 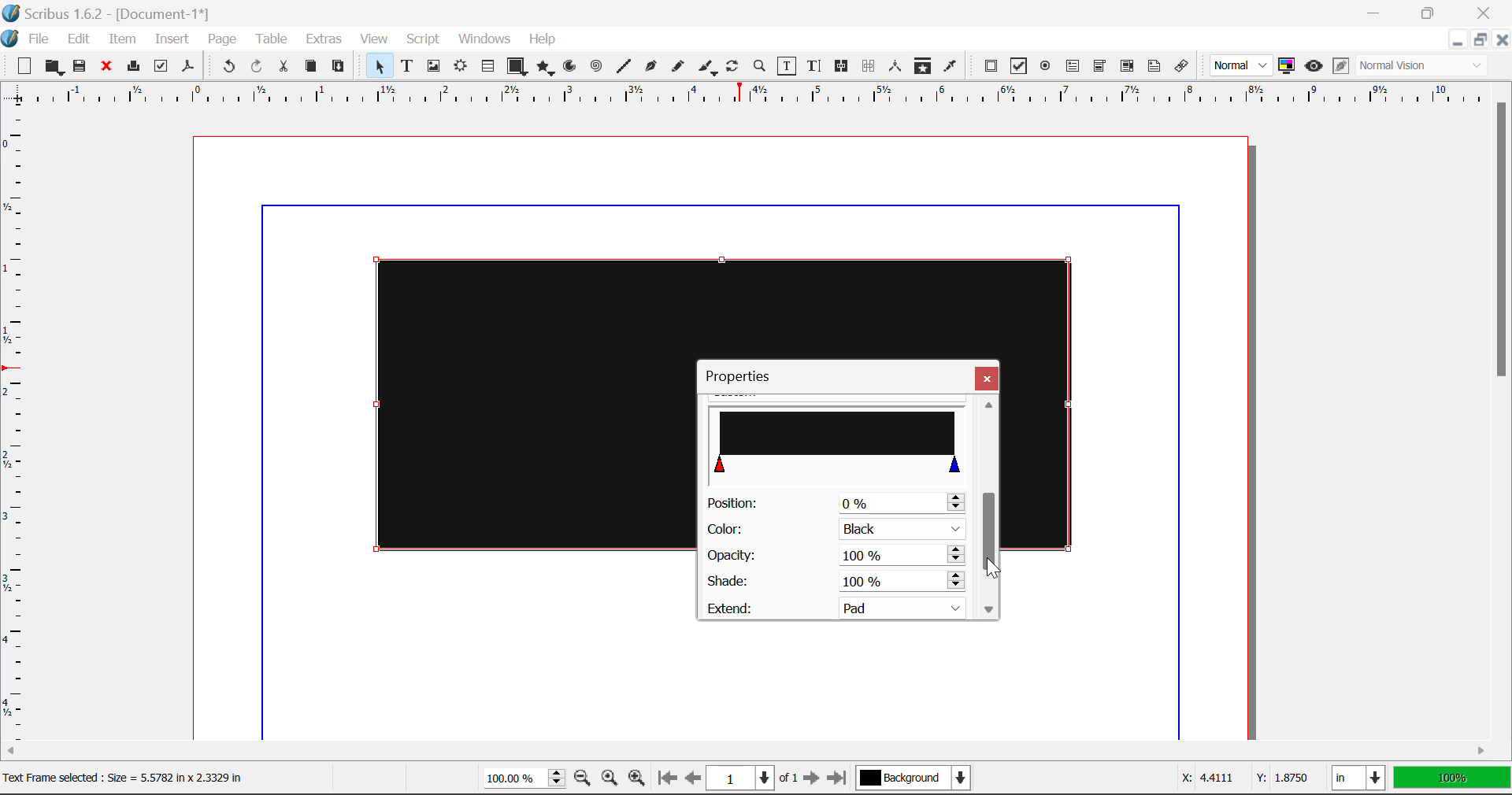 I want to click on Restore Down, so click(x=1376, y=11).